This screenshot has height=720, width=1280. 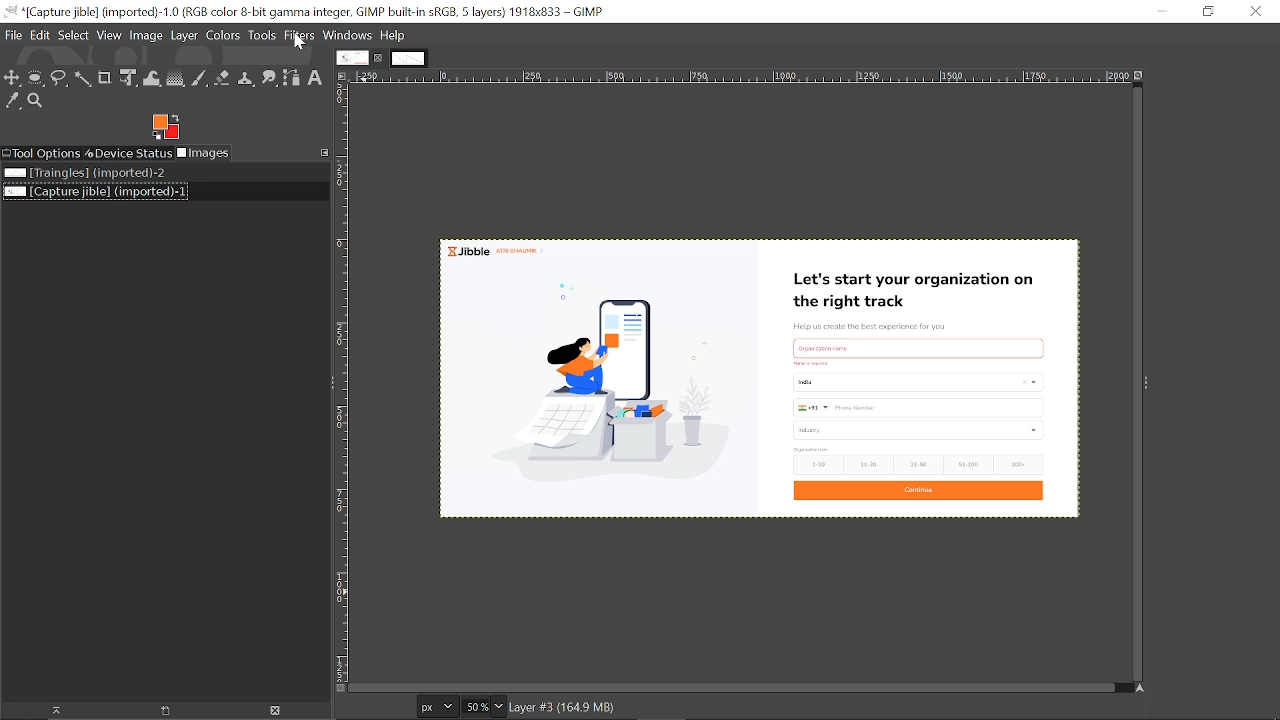 What do you see at coordinates (921, 407) in the screenshot?
I see `Phone number` at bounding box center [921, 407].